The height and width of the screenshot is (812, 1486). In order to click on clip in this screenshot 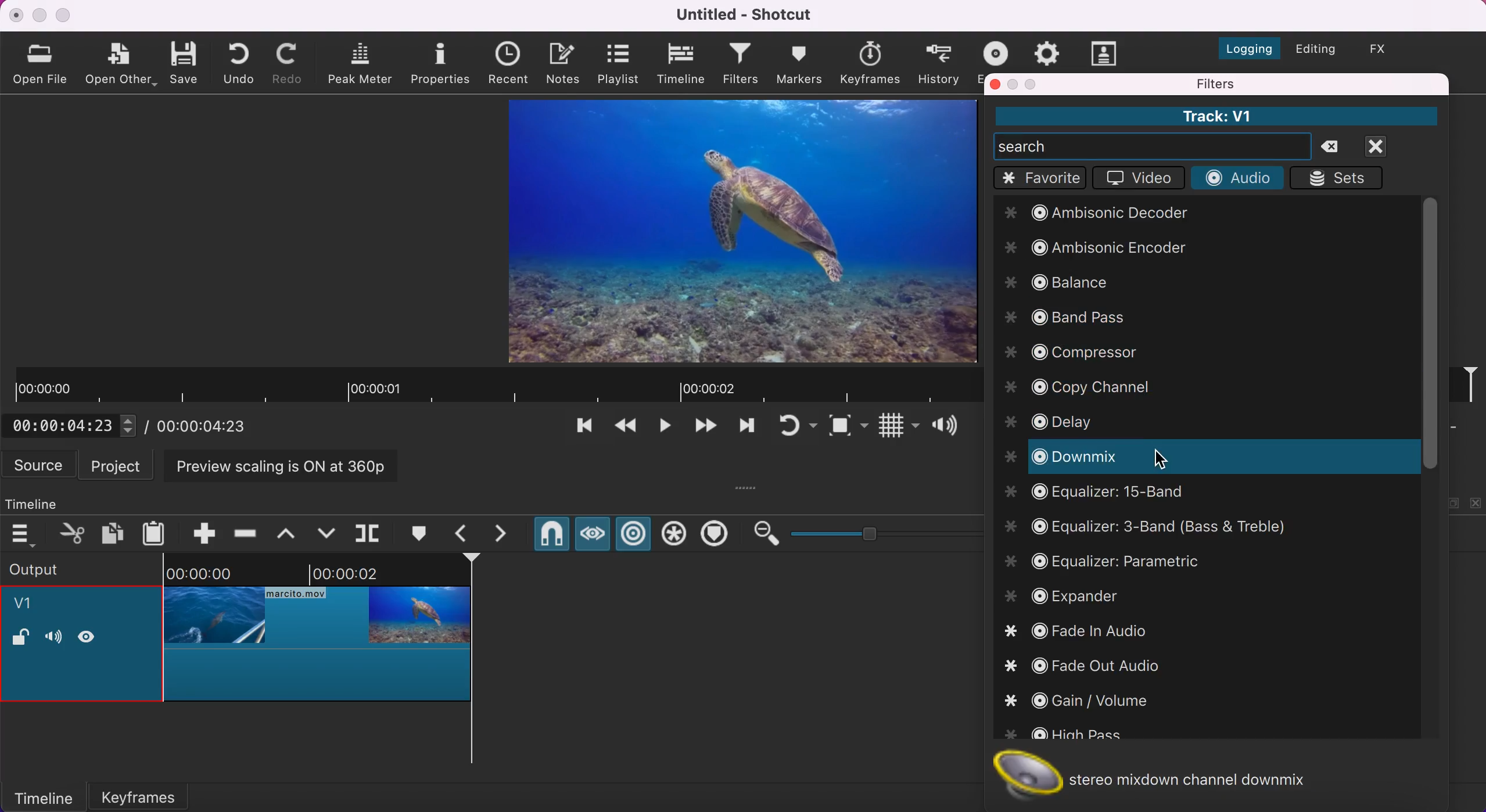, I will do `click(744, 231)`.